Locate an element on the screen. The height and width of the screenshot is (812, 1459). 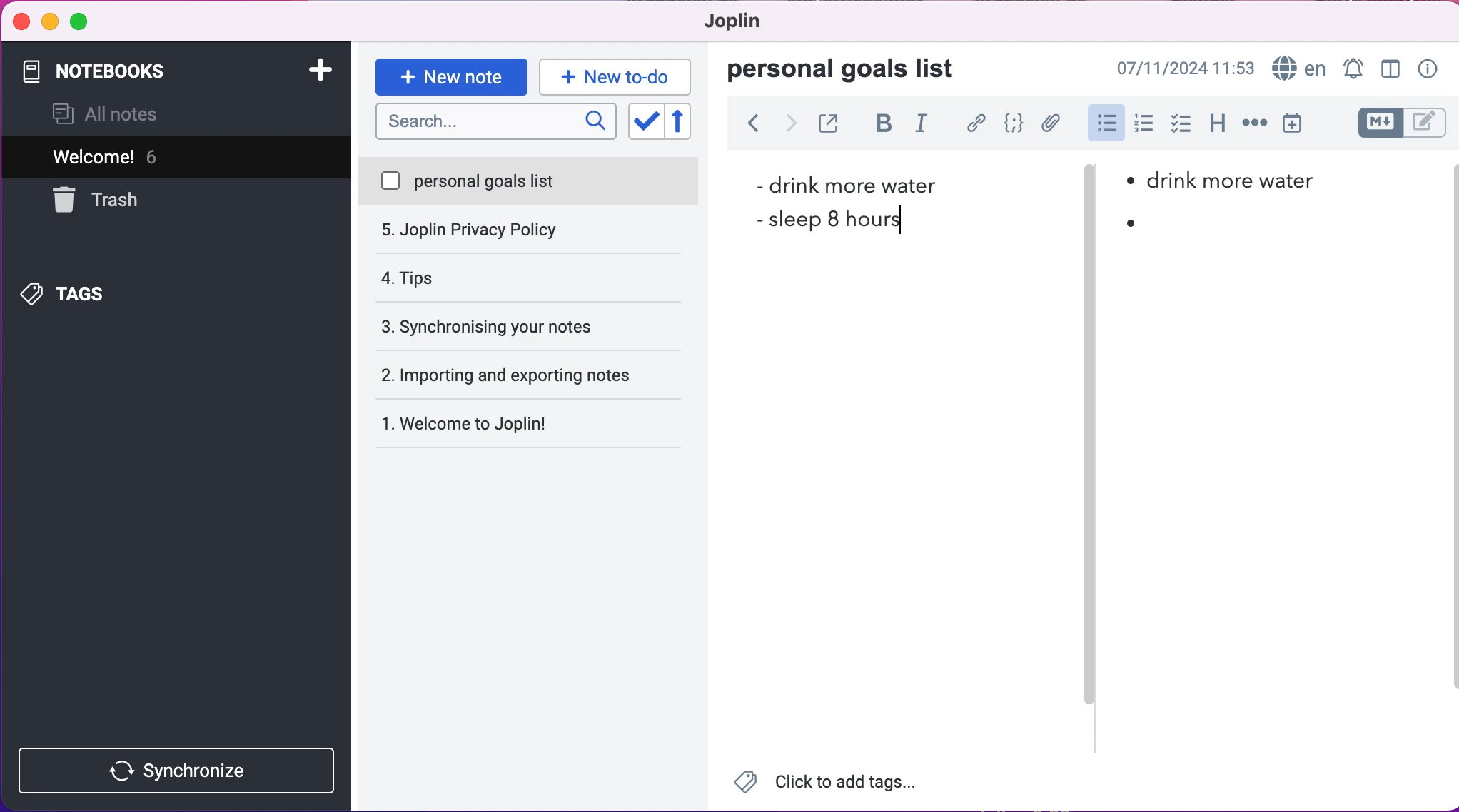
maximize is located at coordinates (85, 24).